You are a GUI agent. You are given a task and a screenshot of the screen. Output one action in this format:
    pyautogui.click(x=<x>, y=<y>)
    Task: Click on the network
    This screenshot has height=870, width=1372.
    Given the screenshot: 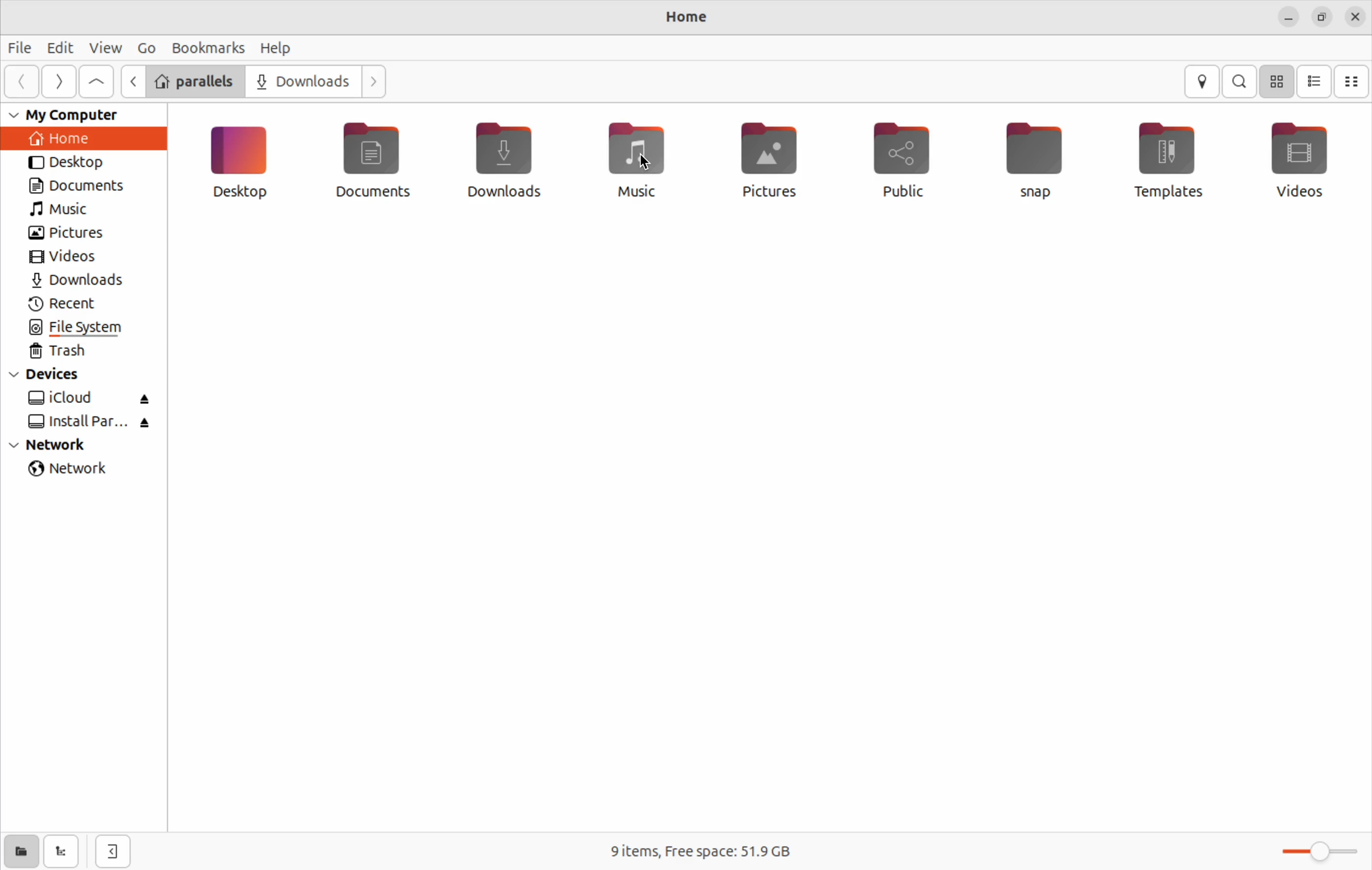 What is the action you would take?
    pyautogui.click(x=75, y=471)
    